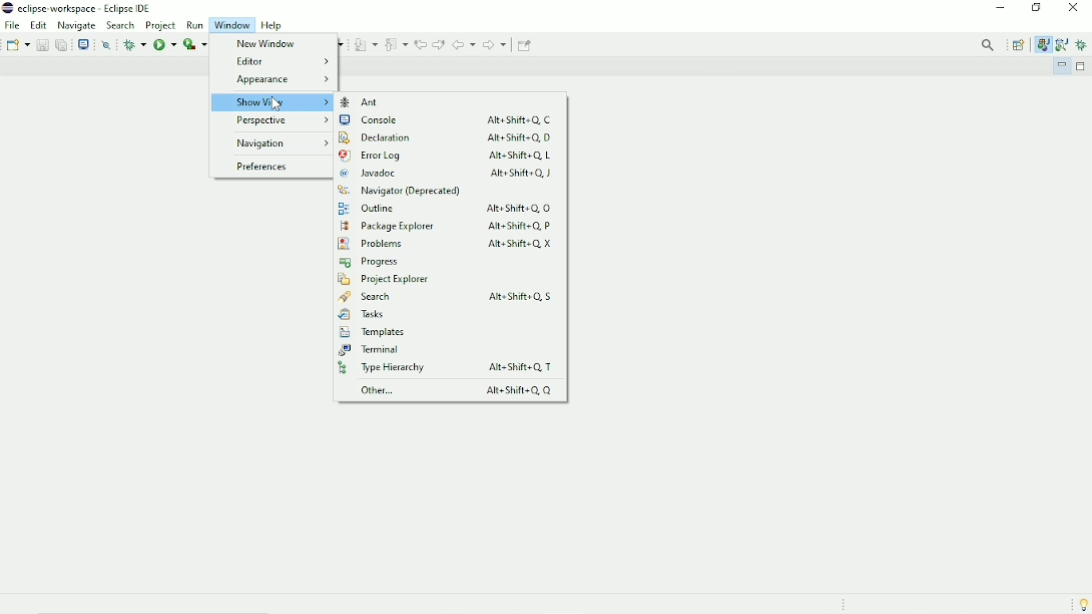  I want to click on Run, so click(164, 44).